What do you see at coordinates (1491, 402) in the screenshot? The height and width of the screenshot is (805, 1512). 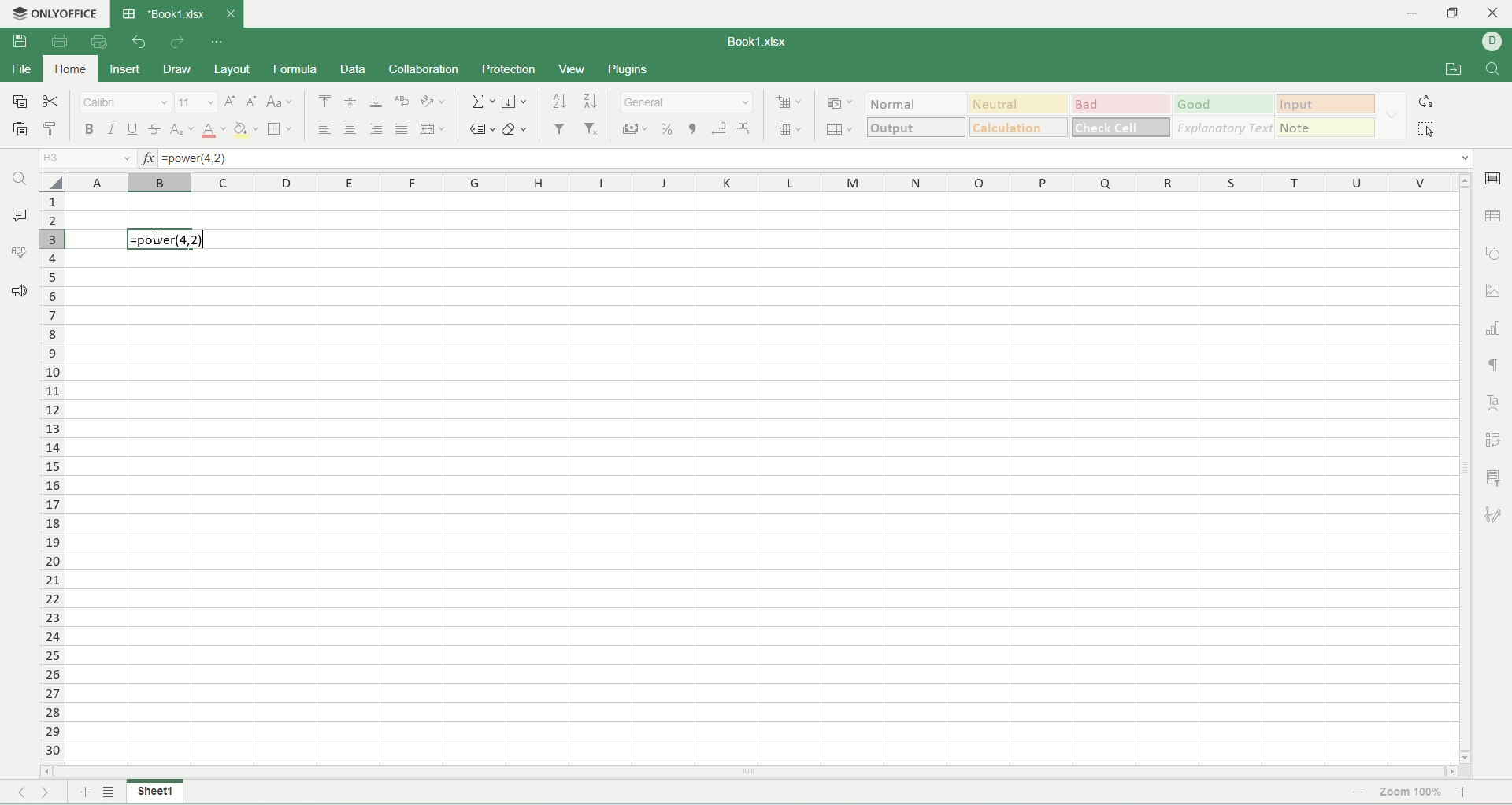 I see `text art ` at bounding box center [1491, 402].